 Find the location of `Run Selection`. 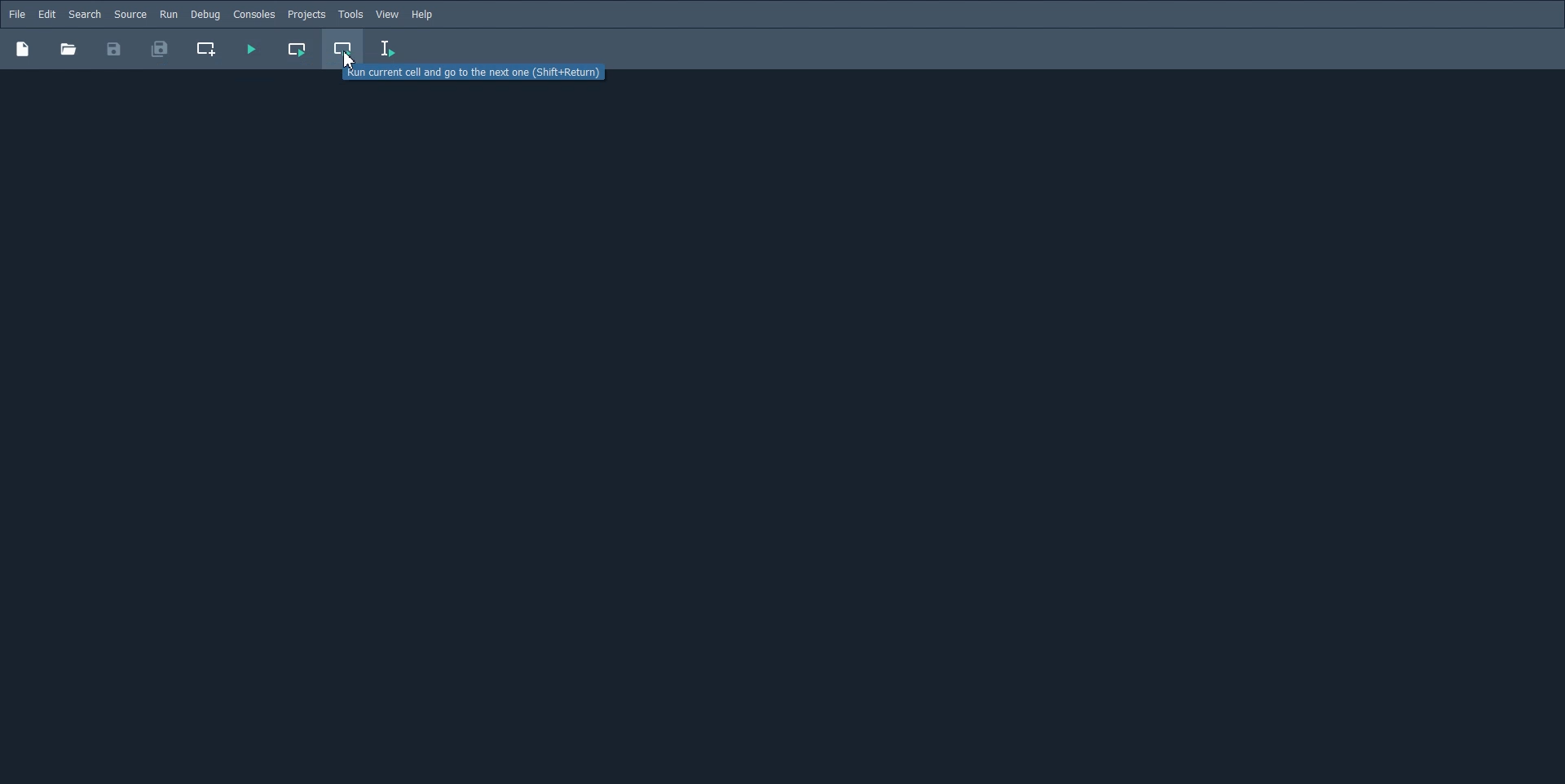

Run Selection is located at coordinates (388, 49).